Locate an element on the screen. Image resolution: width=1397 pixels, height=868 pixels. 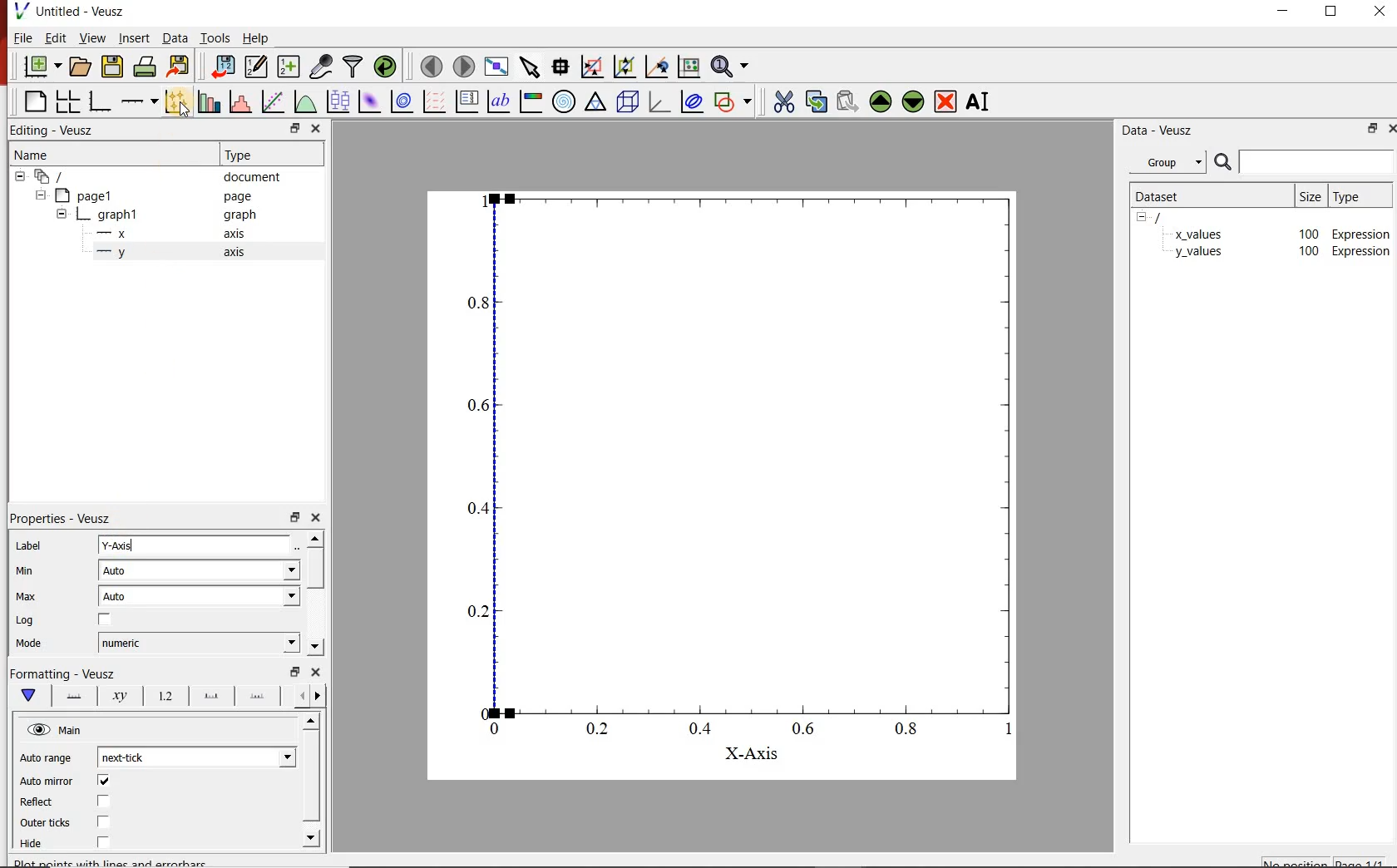
Y-axis is located at coordinates (195, 545).